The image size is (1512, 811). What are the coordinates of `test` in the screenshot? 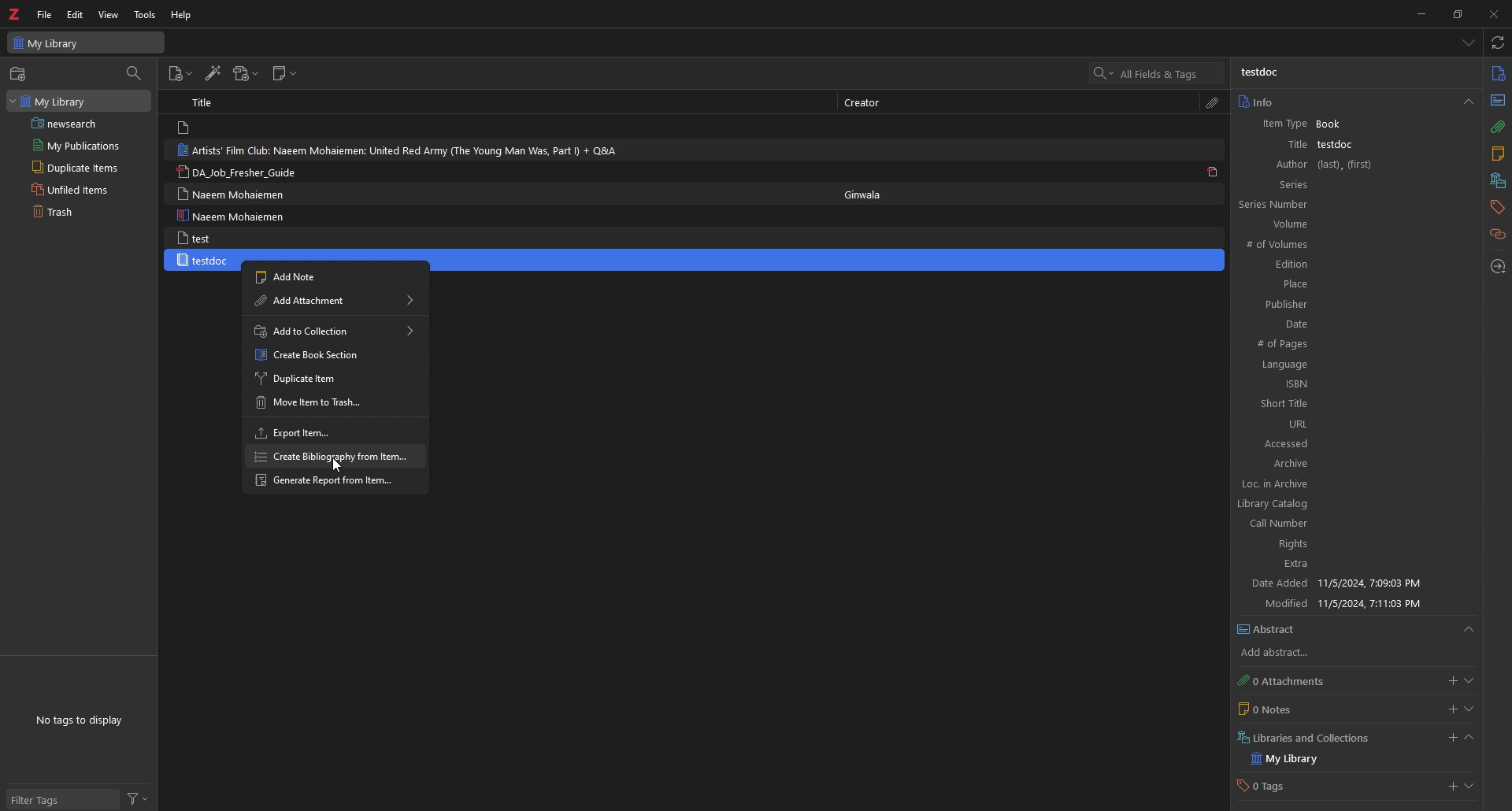 It's located at (196, 238).